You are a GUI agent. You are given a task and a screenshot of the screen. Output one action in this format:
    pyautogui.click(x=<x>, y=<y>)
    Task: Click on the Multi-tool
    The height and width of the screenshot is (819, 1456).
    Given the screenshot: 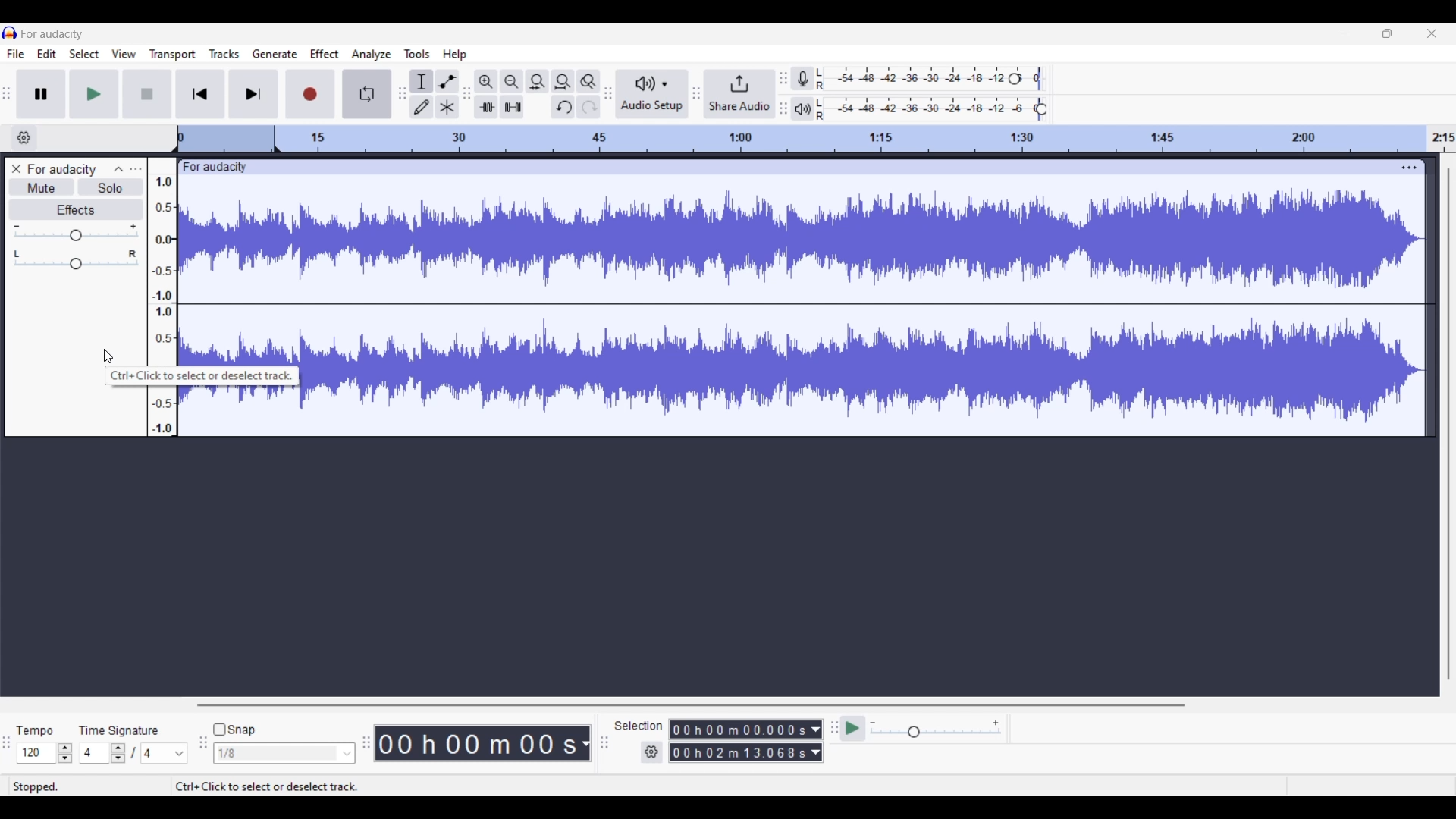 What is the action you would take?
    pyautogui.click(x=447, y=106)
    